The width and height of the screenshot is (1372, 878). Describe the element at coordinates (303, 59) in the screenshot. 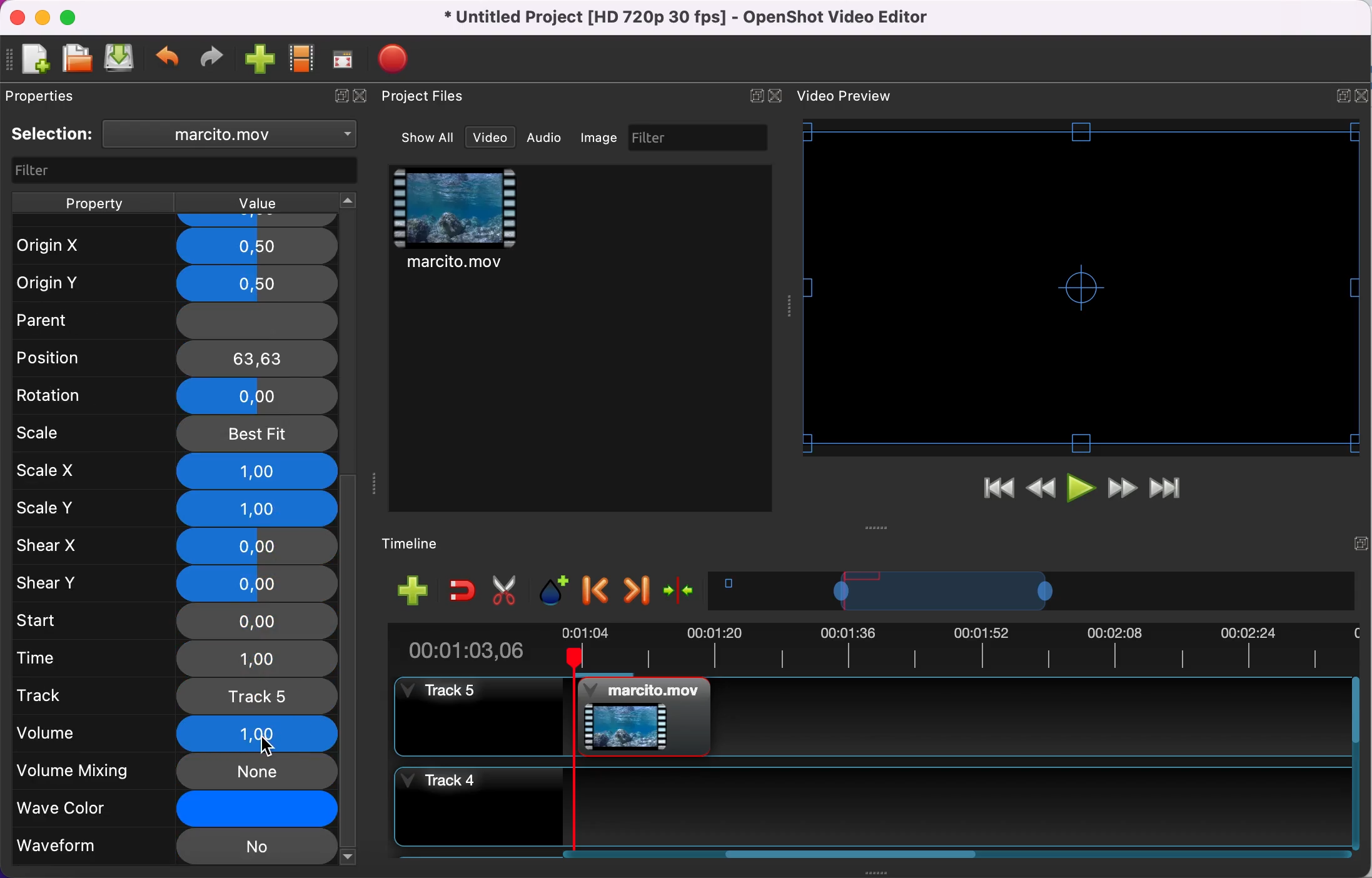

I see `choose profile` at that location.